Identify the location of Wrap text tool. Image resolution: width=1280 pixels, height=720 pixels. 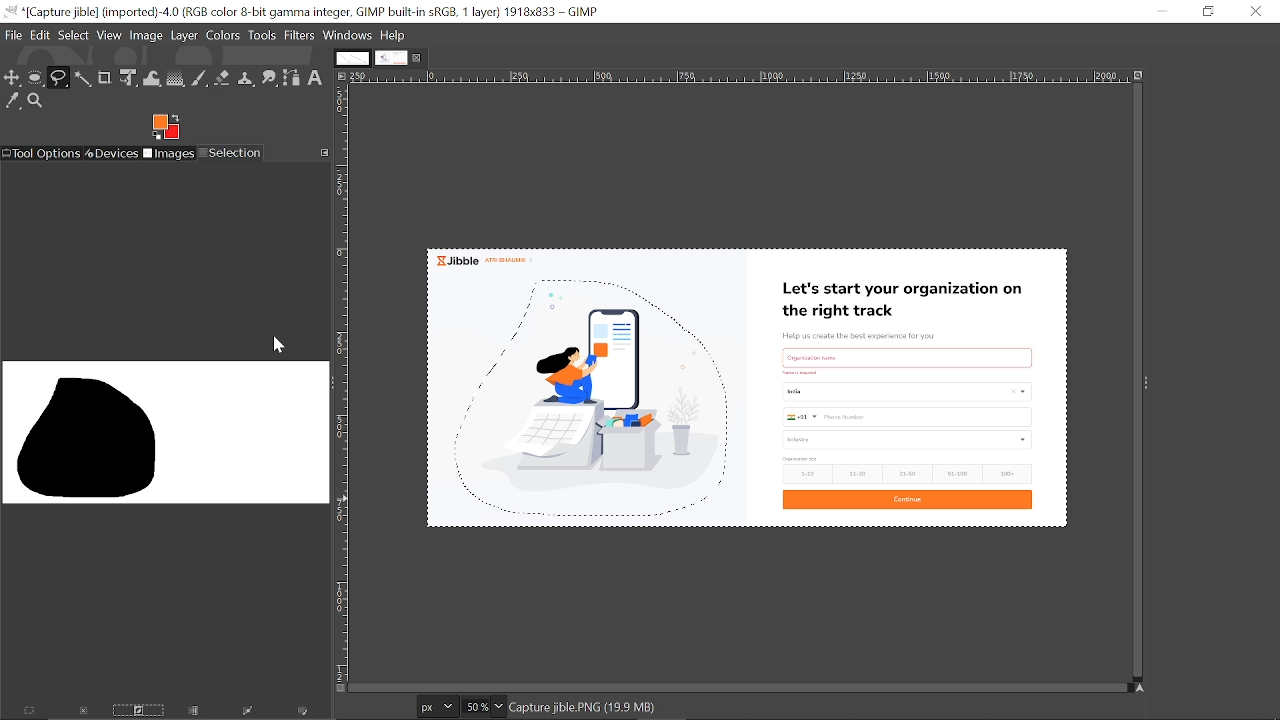
(153, 79).